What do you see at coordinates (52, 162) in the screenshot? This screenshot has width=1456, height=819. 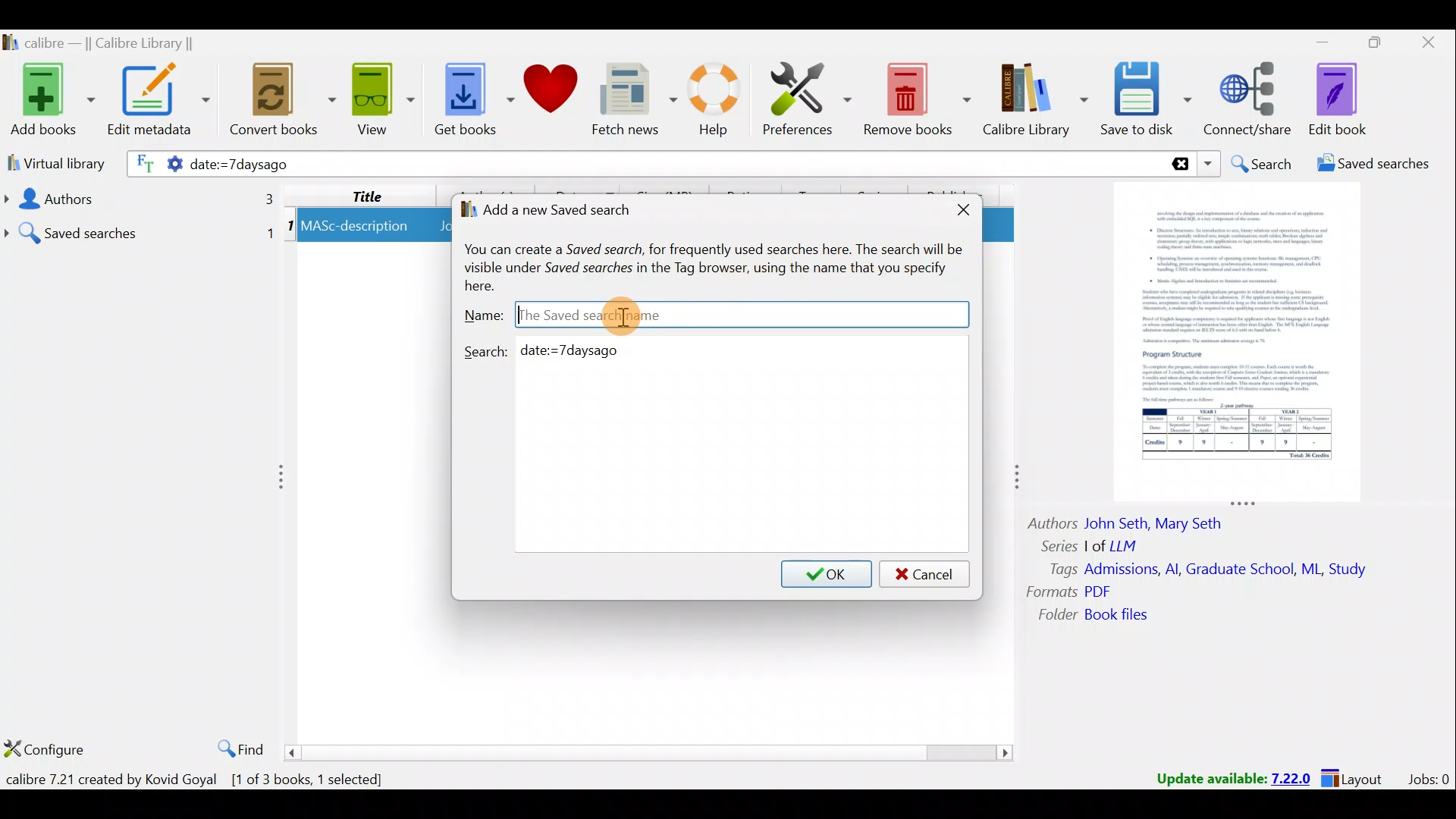 I see `Virtual library` at bounding box center [52, 162].